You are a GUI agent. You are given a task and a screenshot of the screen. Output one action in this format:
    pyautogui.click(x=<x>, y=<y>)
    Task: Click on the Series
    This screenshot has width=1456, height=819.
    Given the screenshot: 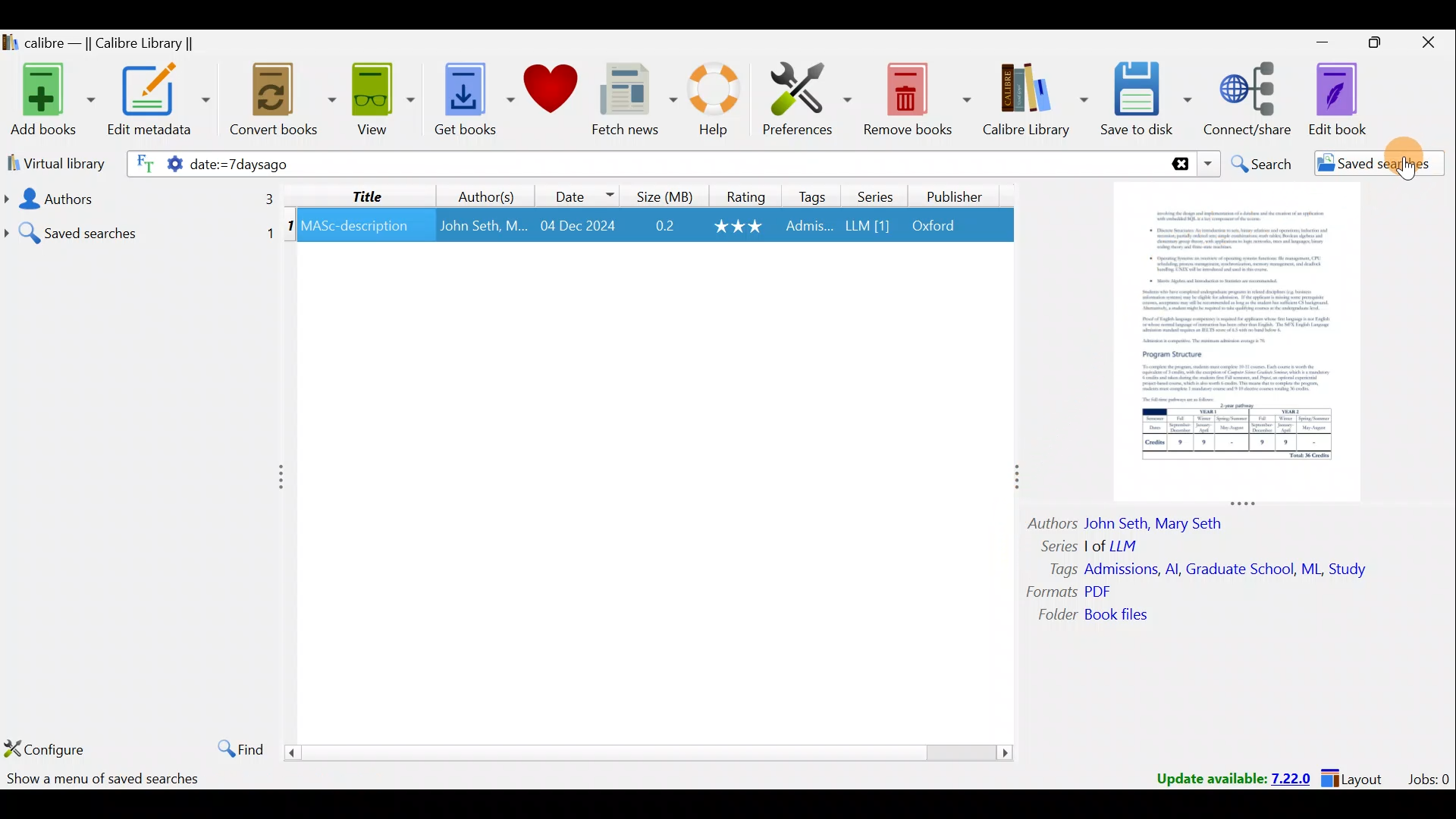 What is the action you would take?
    pyautogui.click(x=873, y=195)
    